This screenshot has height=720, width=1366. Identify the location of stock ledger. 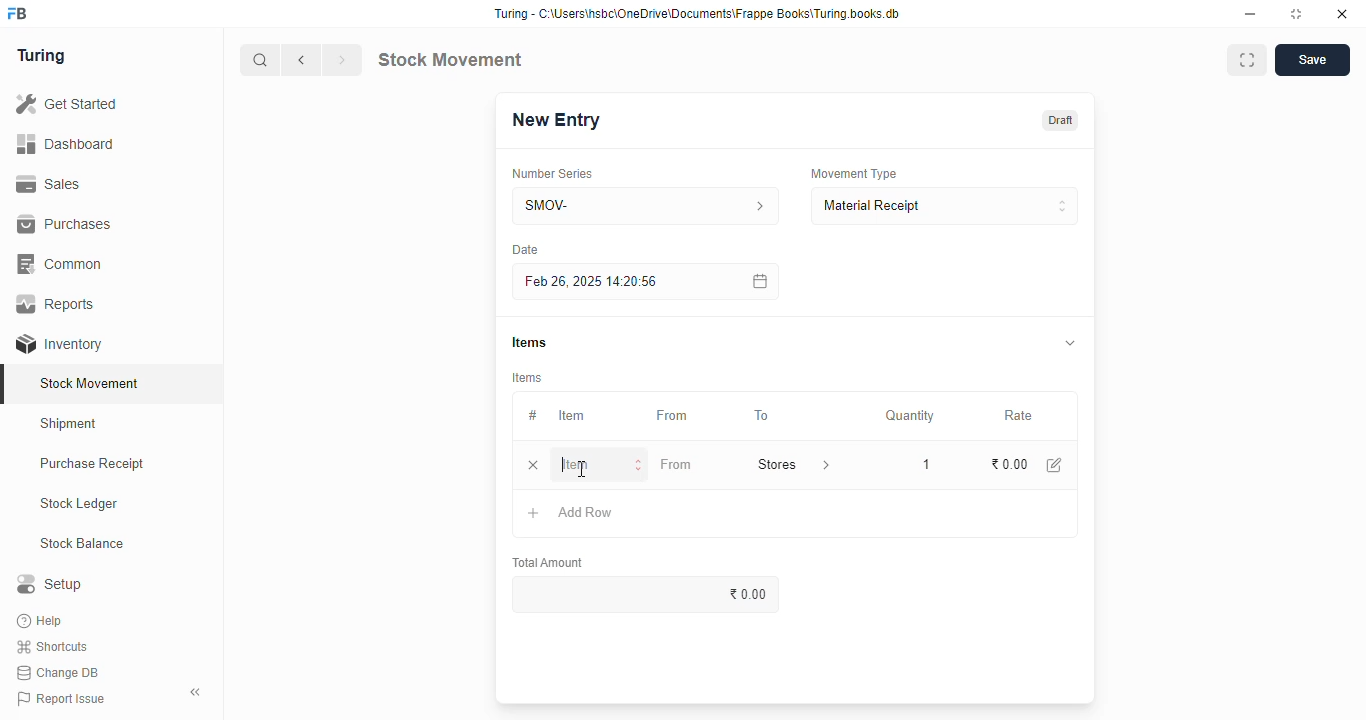
(80, 504).